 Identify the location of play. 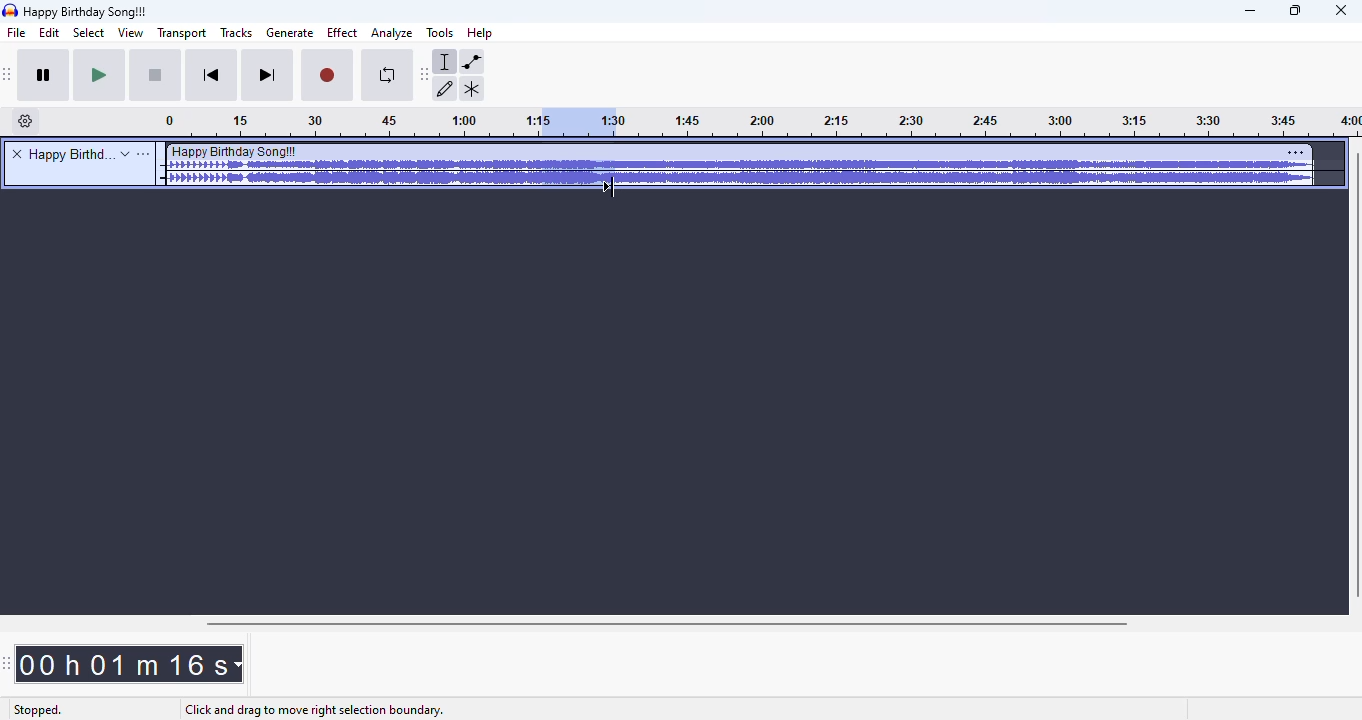
(100, 76).